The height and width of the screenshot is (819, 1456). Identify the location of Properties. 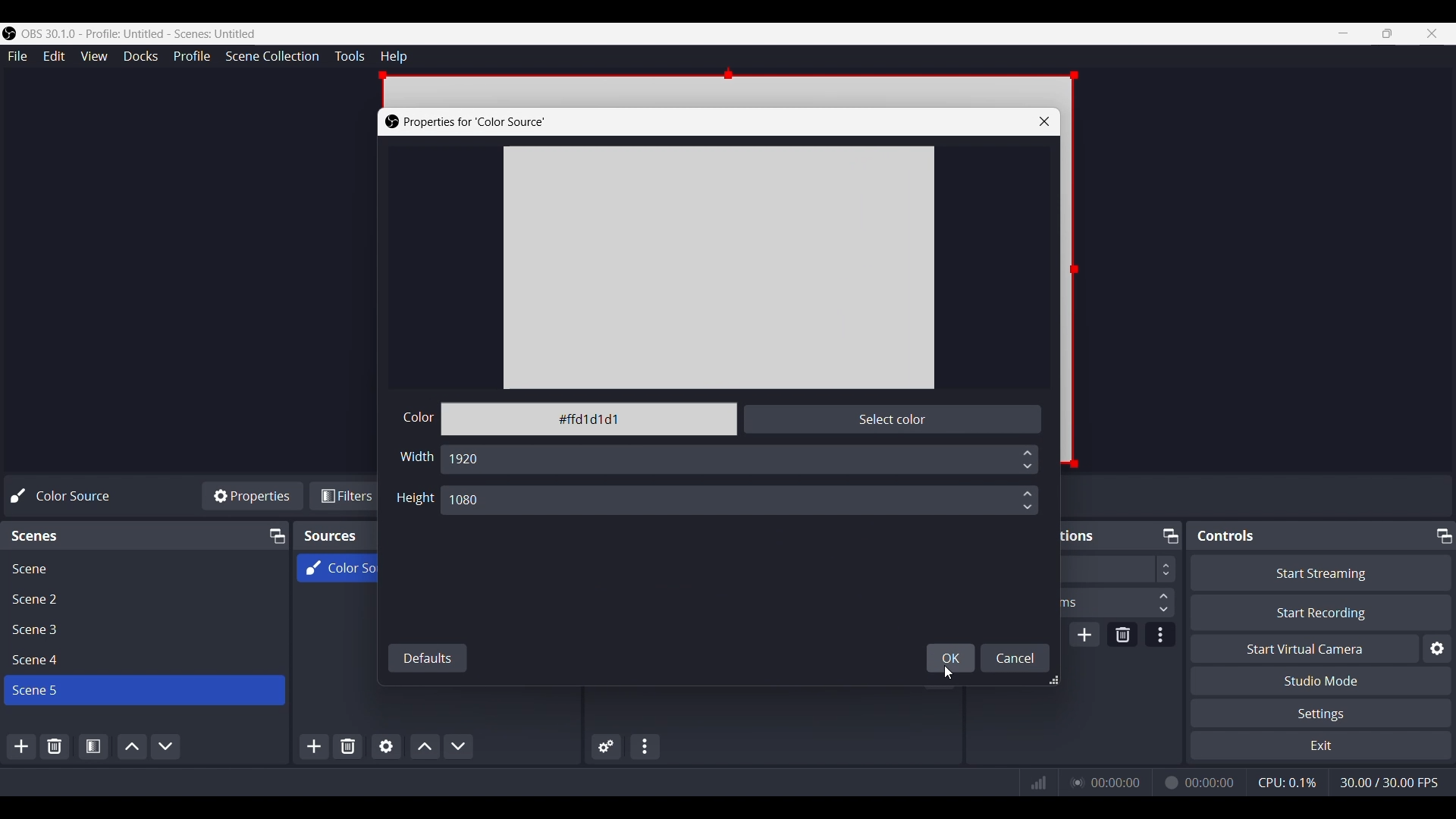
(253, 495).